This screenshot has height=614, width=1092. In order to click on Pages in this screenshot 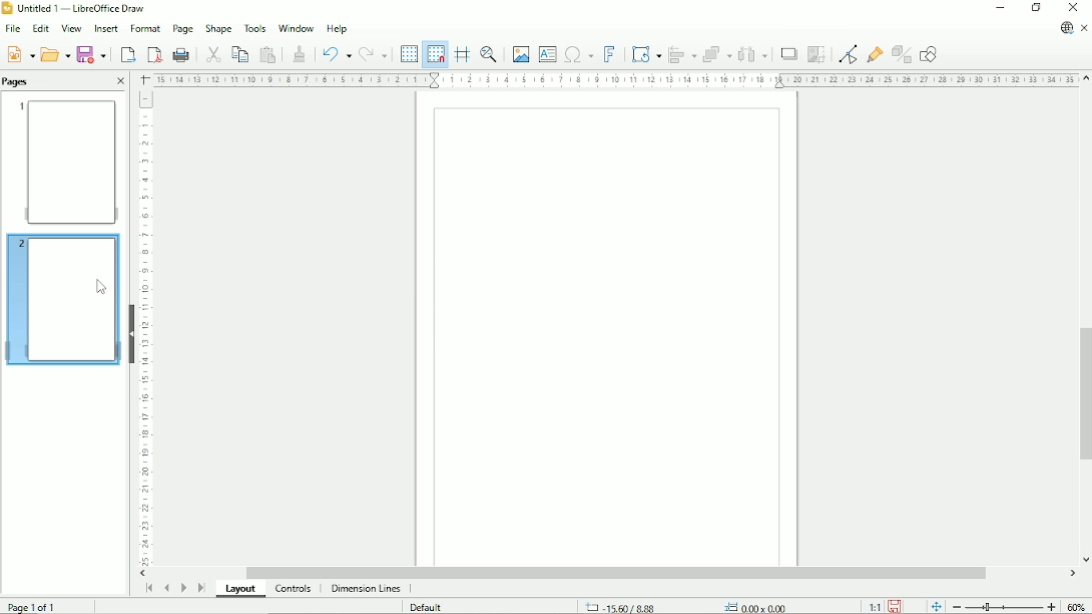, I will do `click(18, 81)`.